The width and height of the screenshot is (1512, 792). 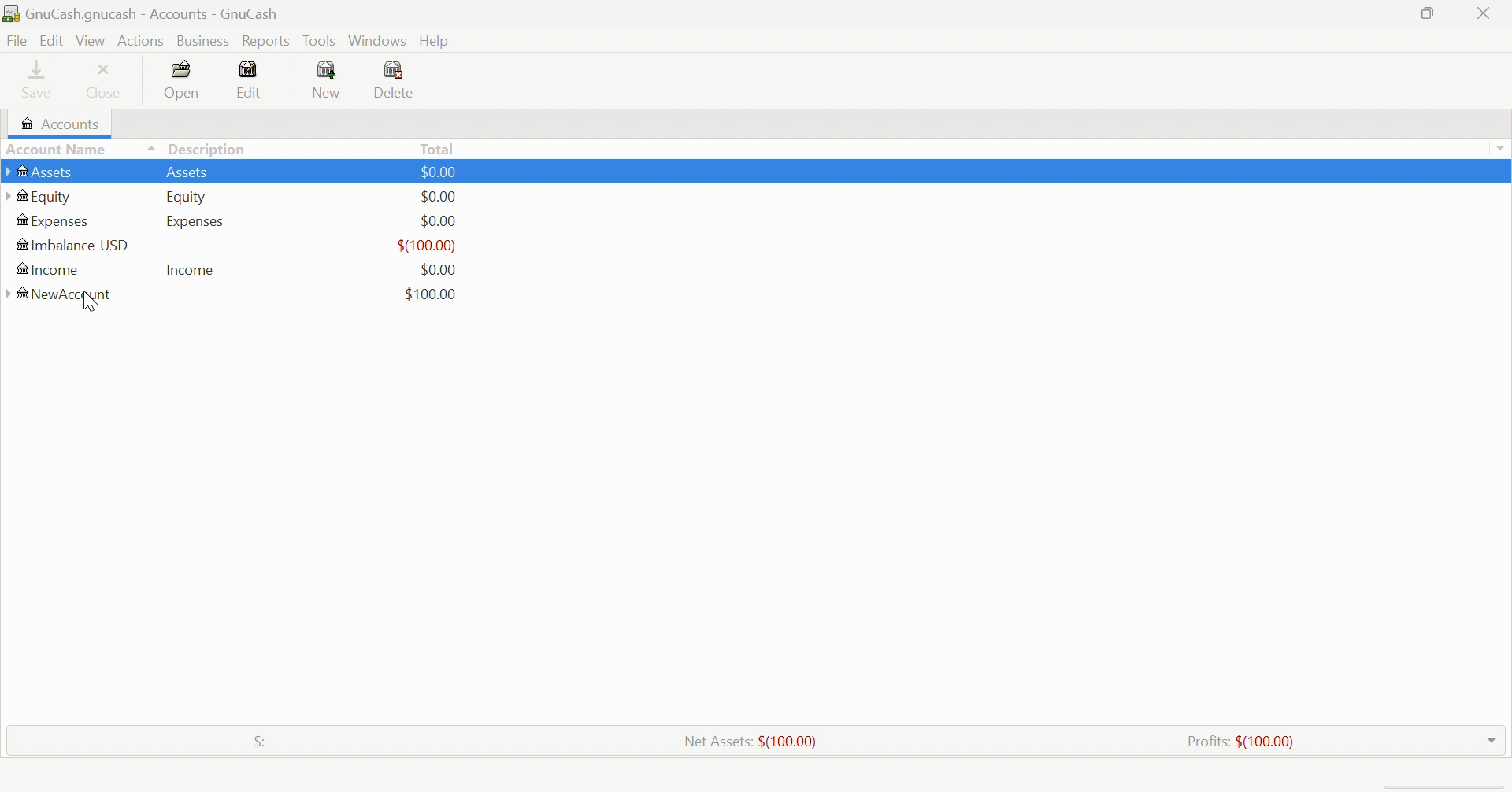 What do you see at coordinates (62, 126) in the screenshot?
I see `Accounts` at bounding box center [62, 126].